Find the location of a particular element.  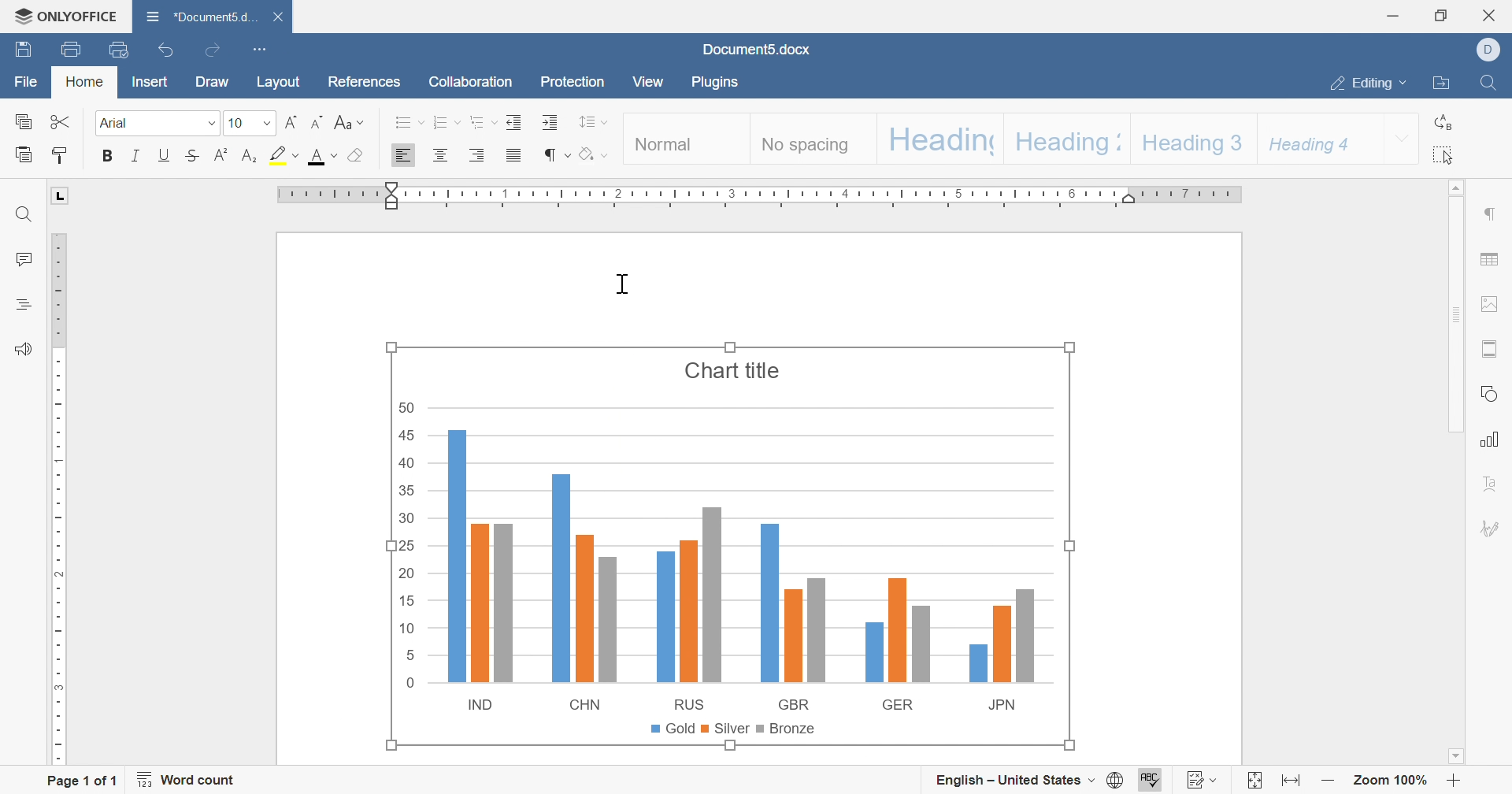

Change case is located at coordinates (349, 122).